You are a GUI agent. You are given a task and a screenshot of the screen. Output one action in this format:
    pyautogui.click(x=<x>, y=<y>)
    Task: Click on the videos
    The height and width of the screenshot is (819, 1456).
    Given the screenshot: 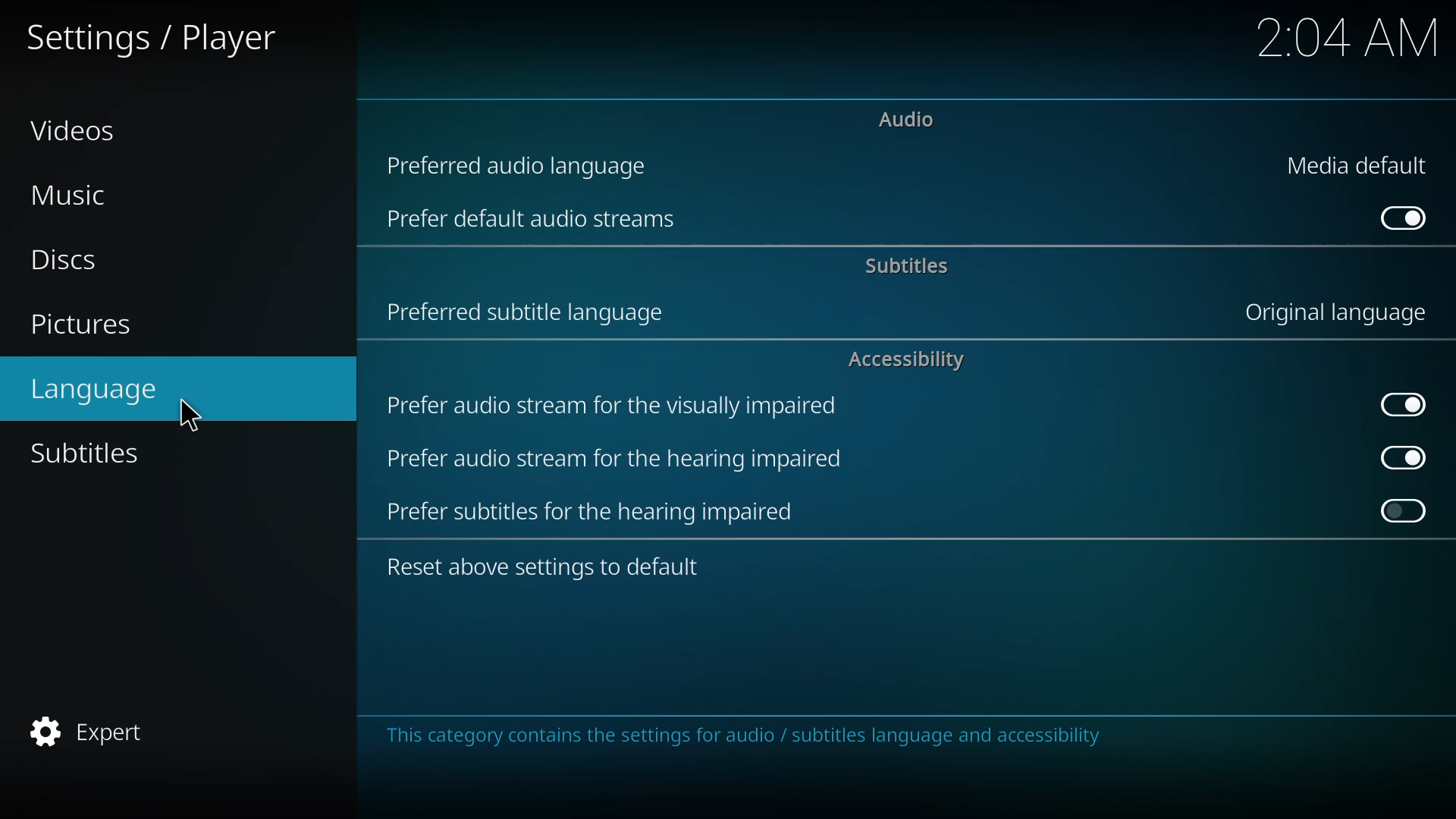 What is the action you would take?
    pyautogui.click(x=75, y=132)
    